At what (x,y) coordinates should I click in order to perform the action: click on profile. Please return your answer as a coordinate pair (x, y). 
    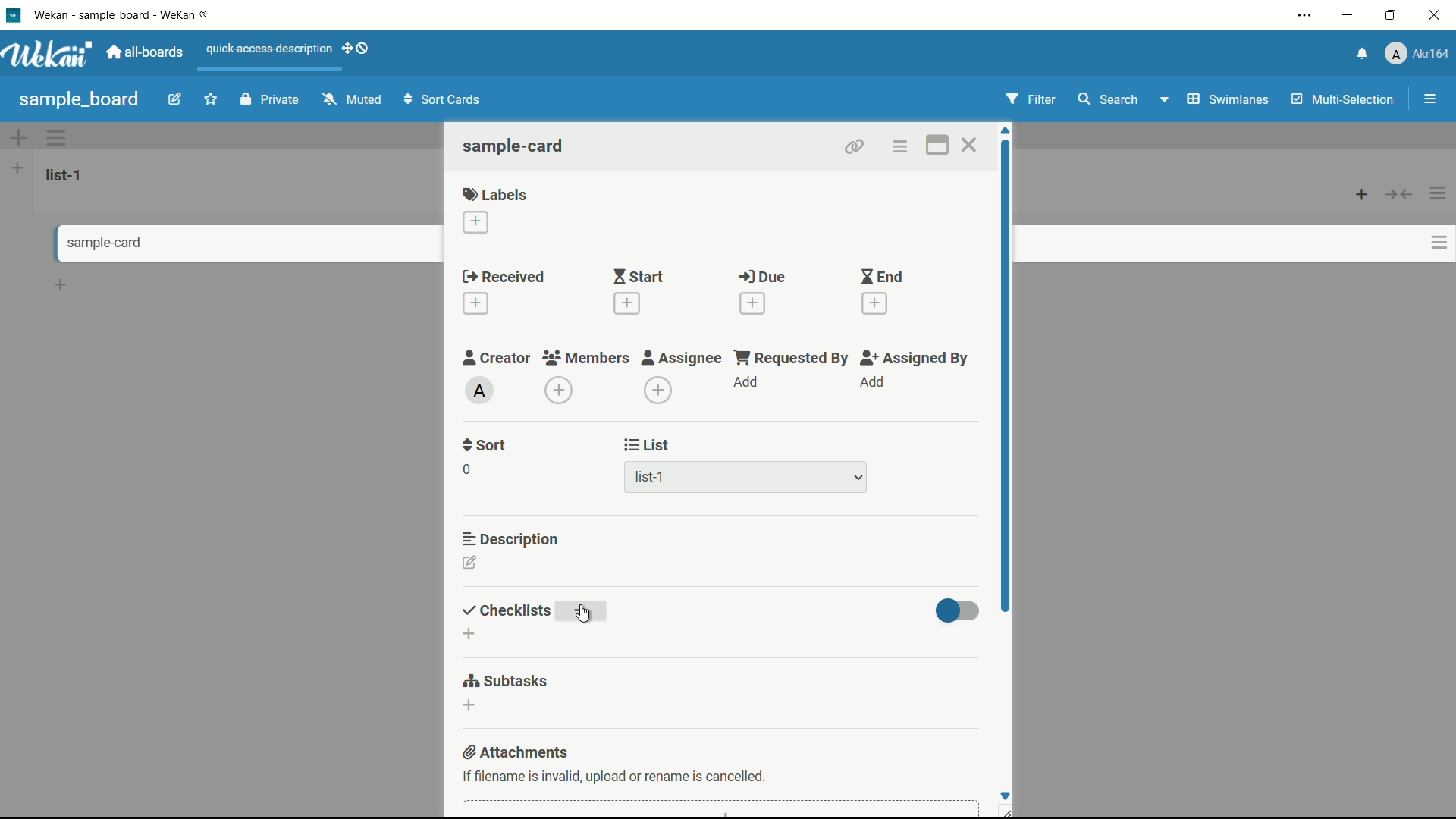
    Looking at the image, I should click on (1417, 55).